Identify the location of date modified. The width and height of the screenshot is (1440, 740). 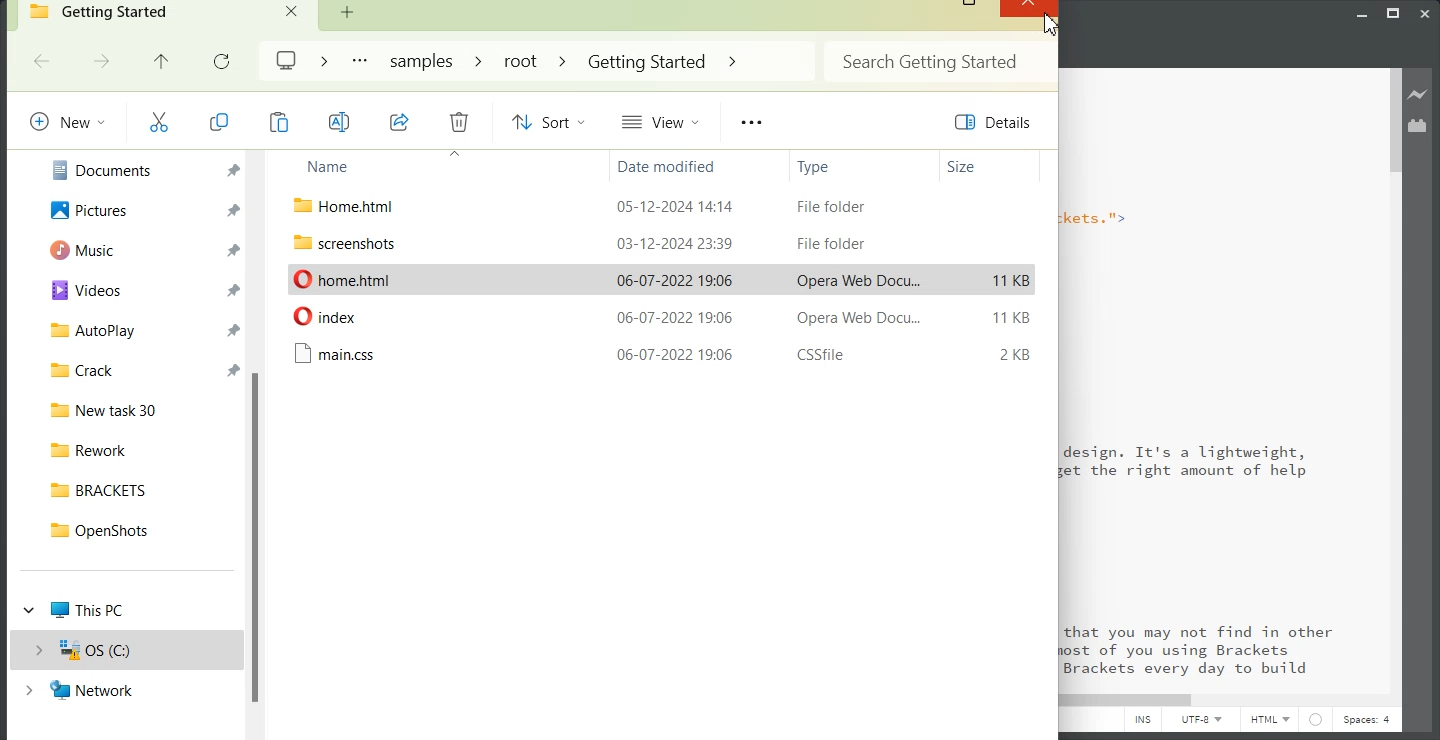
(676, 206).